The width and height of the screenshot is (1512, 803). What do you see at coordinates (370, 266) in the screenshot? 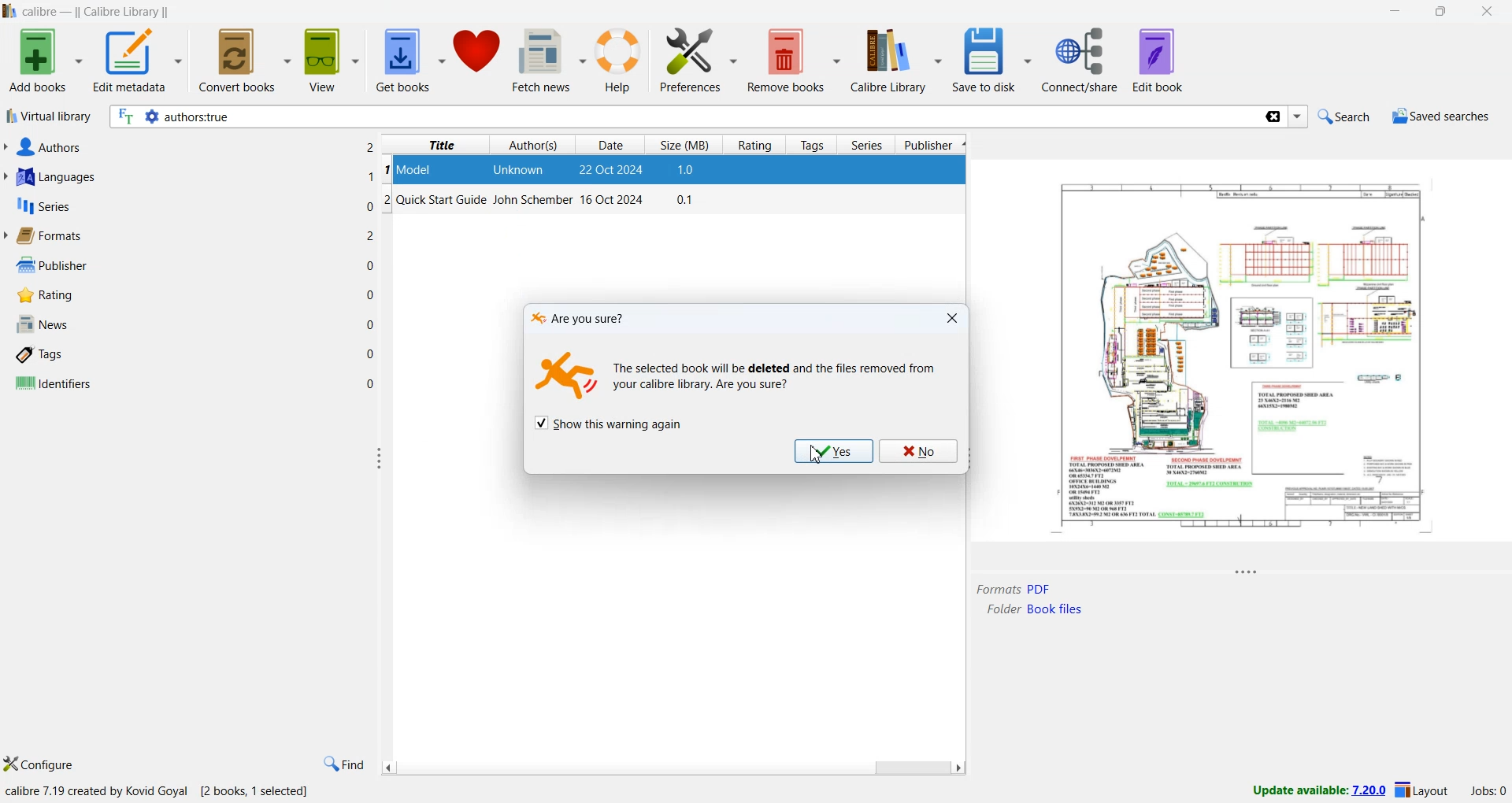
I see `0` at bounding box center [370, 266].